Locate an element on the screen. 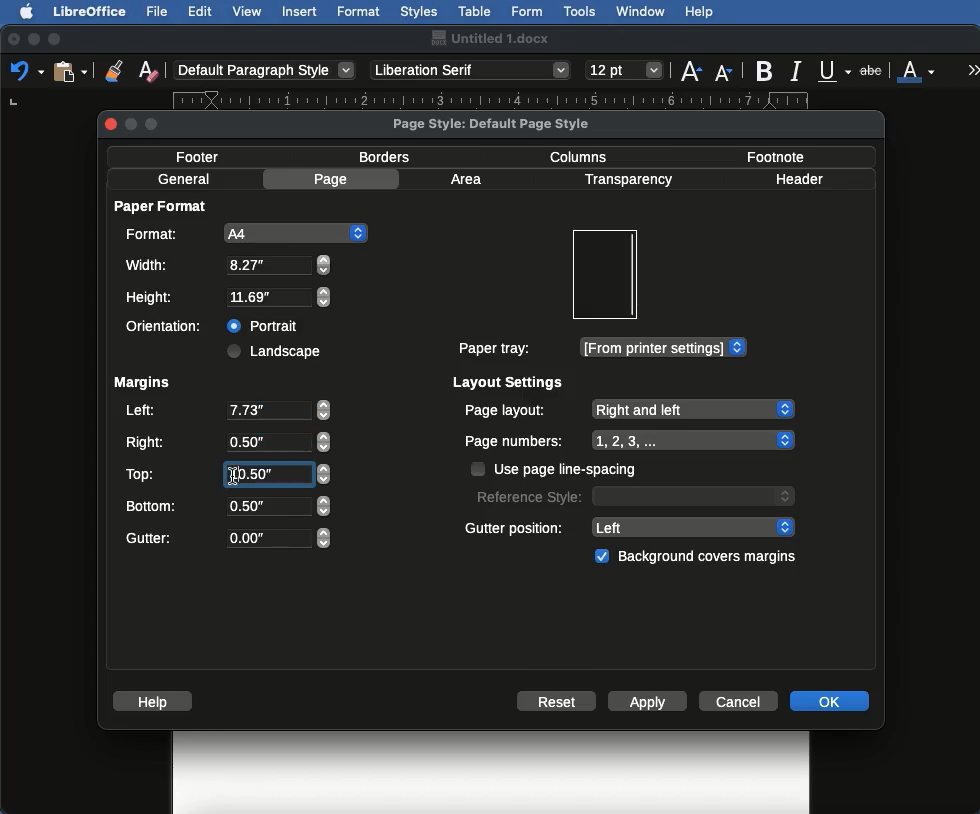 The image size is (980, 814). Clear formatting is located at coordinates (148, 69).